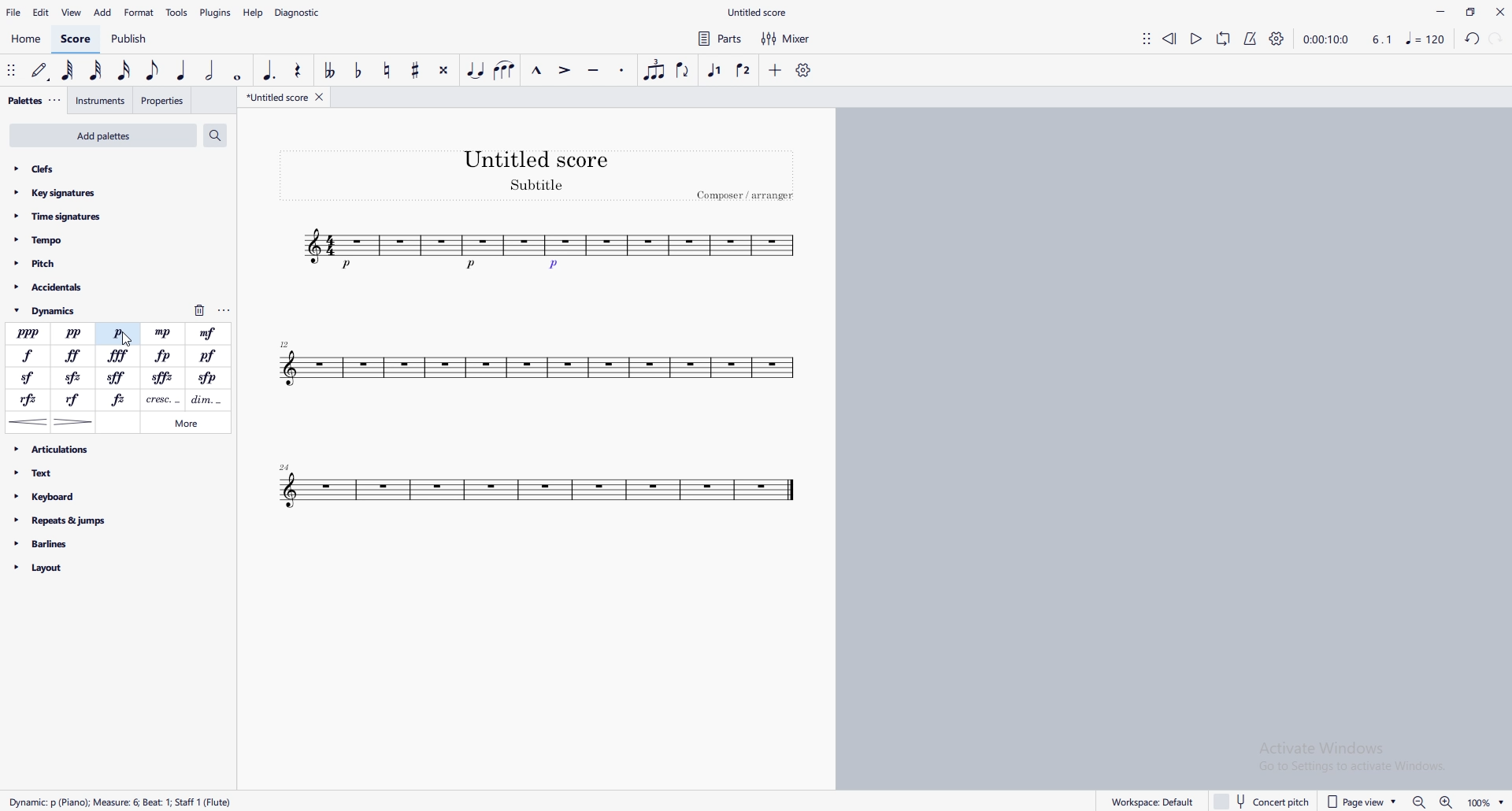 This screenshot has width=1512, height=811. Describe the element at coordinates (538, 175) in the screenshot. I see `heading` at that location.